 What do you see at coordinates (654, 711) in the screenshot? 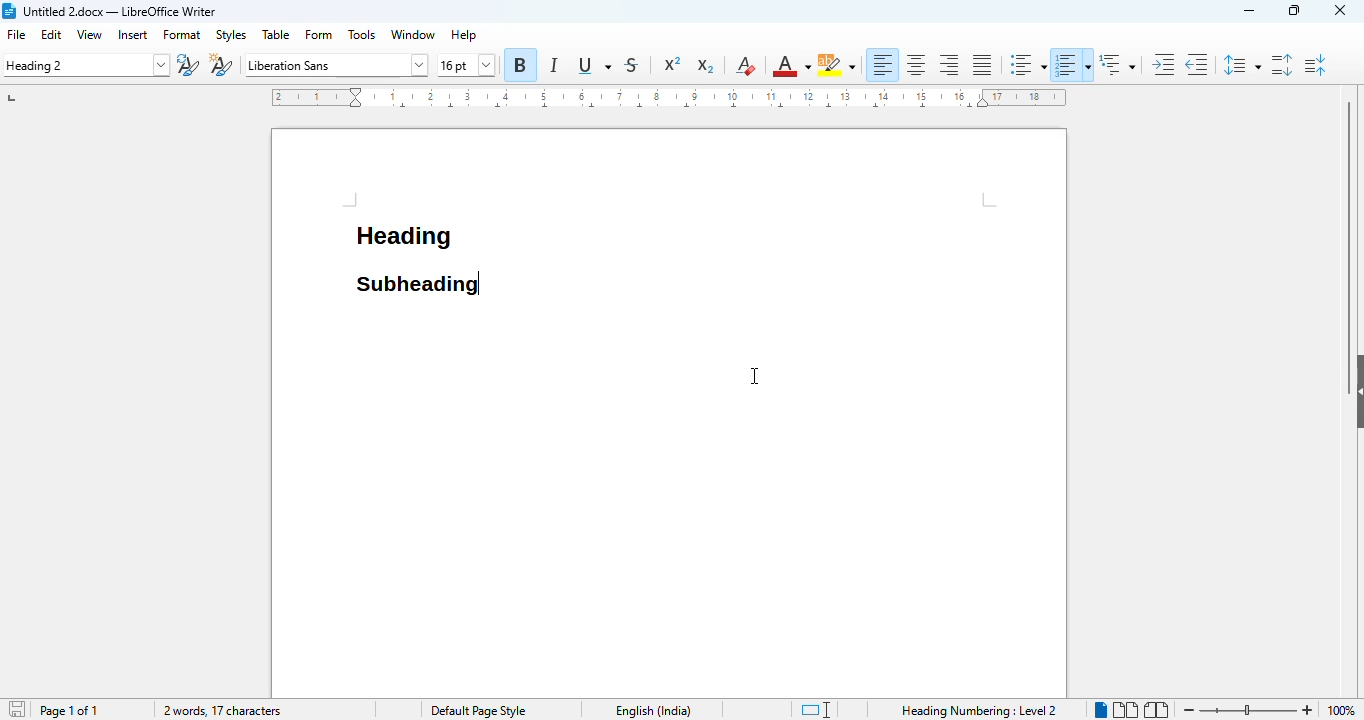
I see `text language` at bounding box center [654, 711].